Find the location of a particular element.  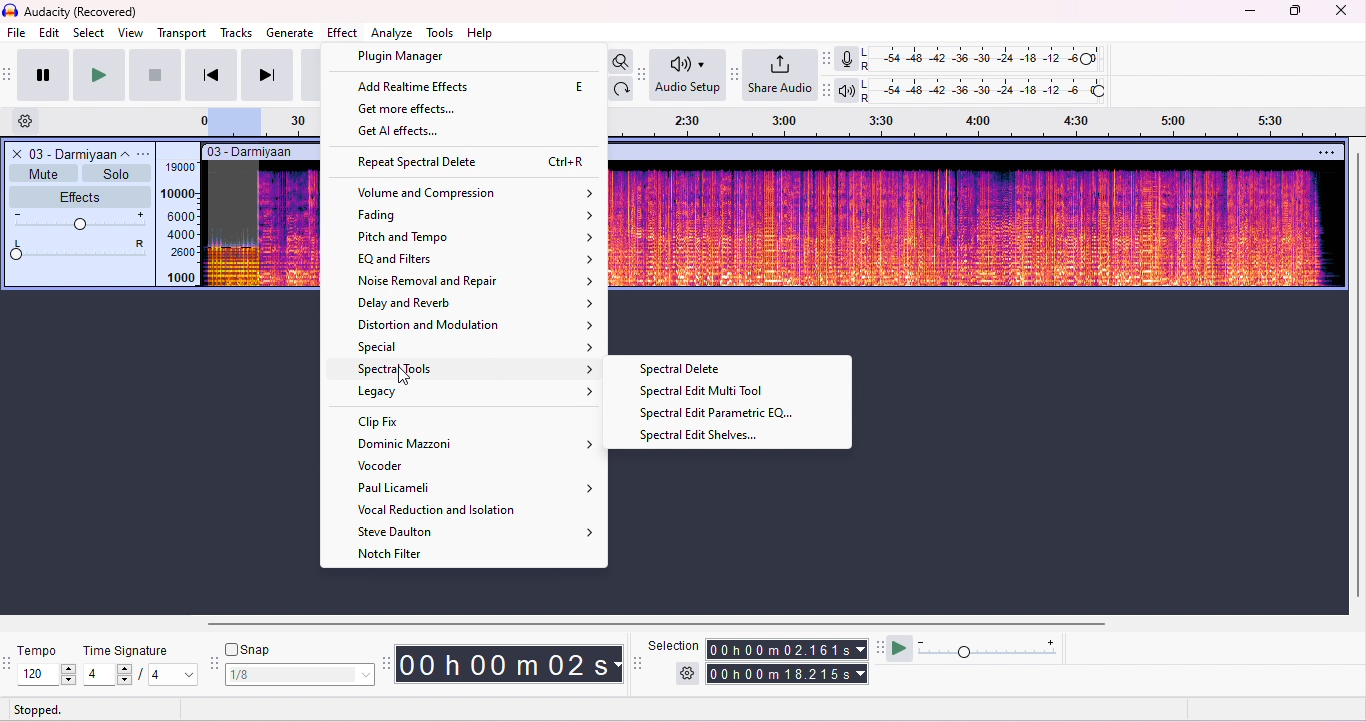

toggle zoom is located at coordinates (620, 61).